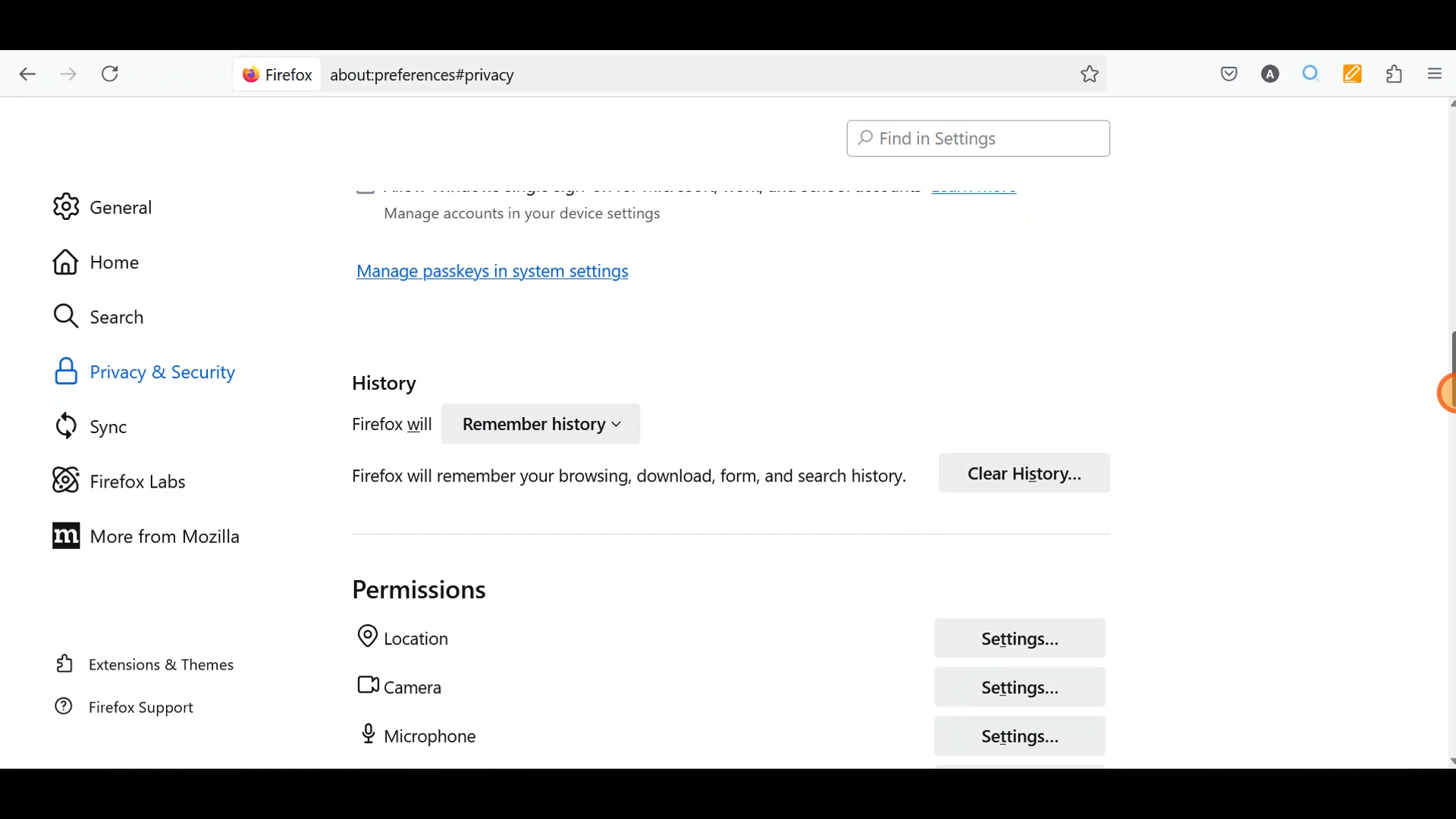 This screenshot has width=1456, height=819. Describe the element at coordinates (24, 72) in the screenshot. I see `Go back one page` at that location.